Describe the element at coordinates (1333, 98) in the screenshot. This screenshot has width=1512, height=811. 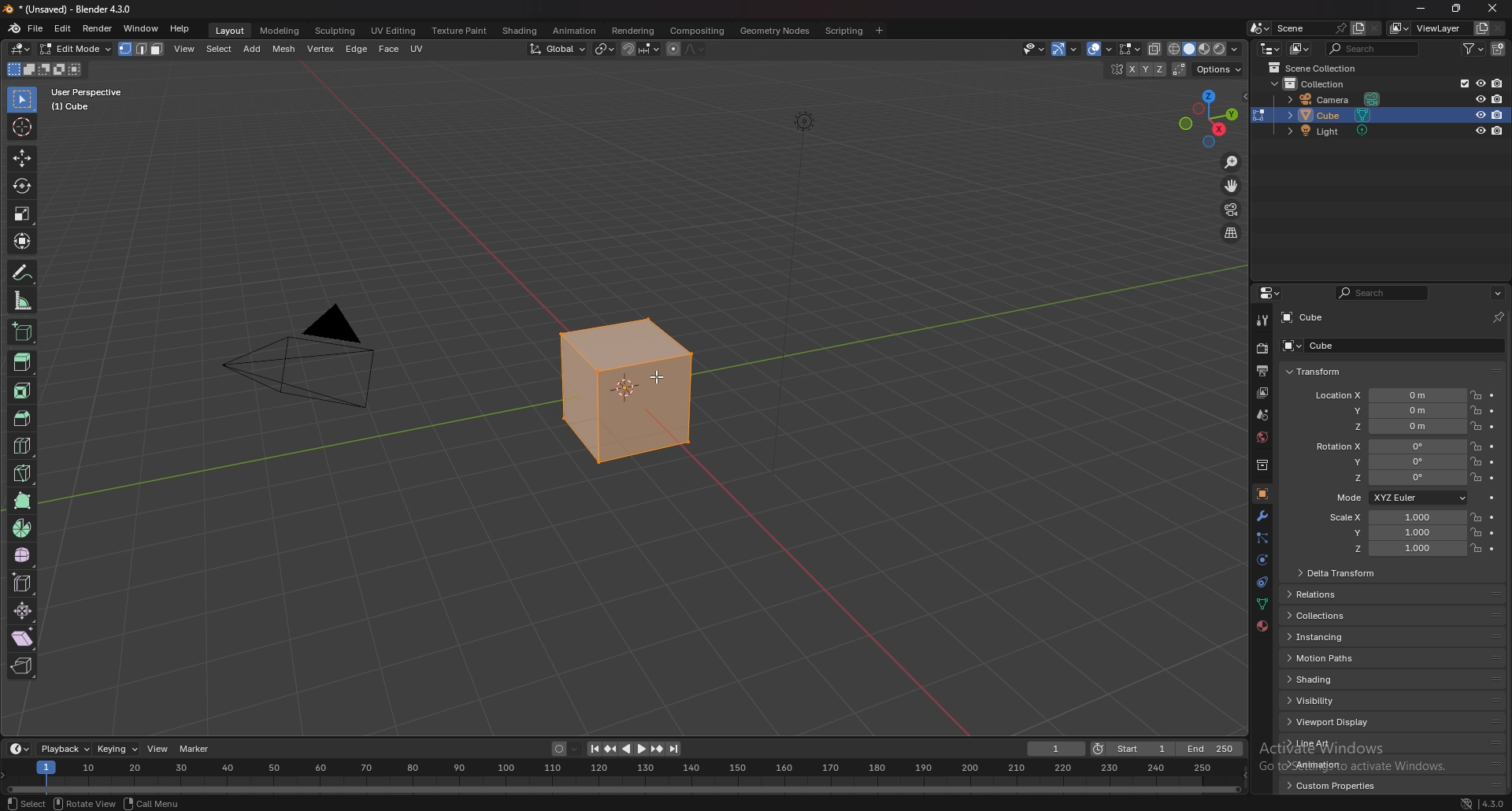
I see `camera` at that location.